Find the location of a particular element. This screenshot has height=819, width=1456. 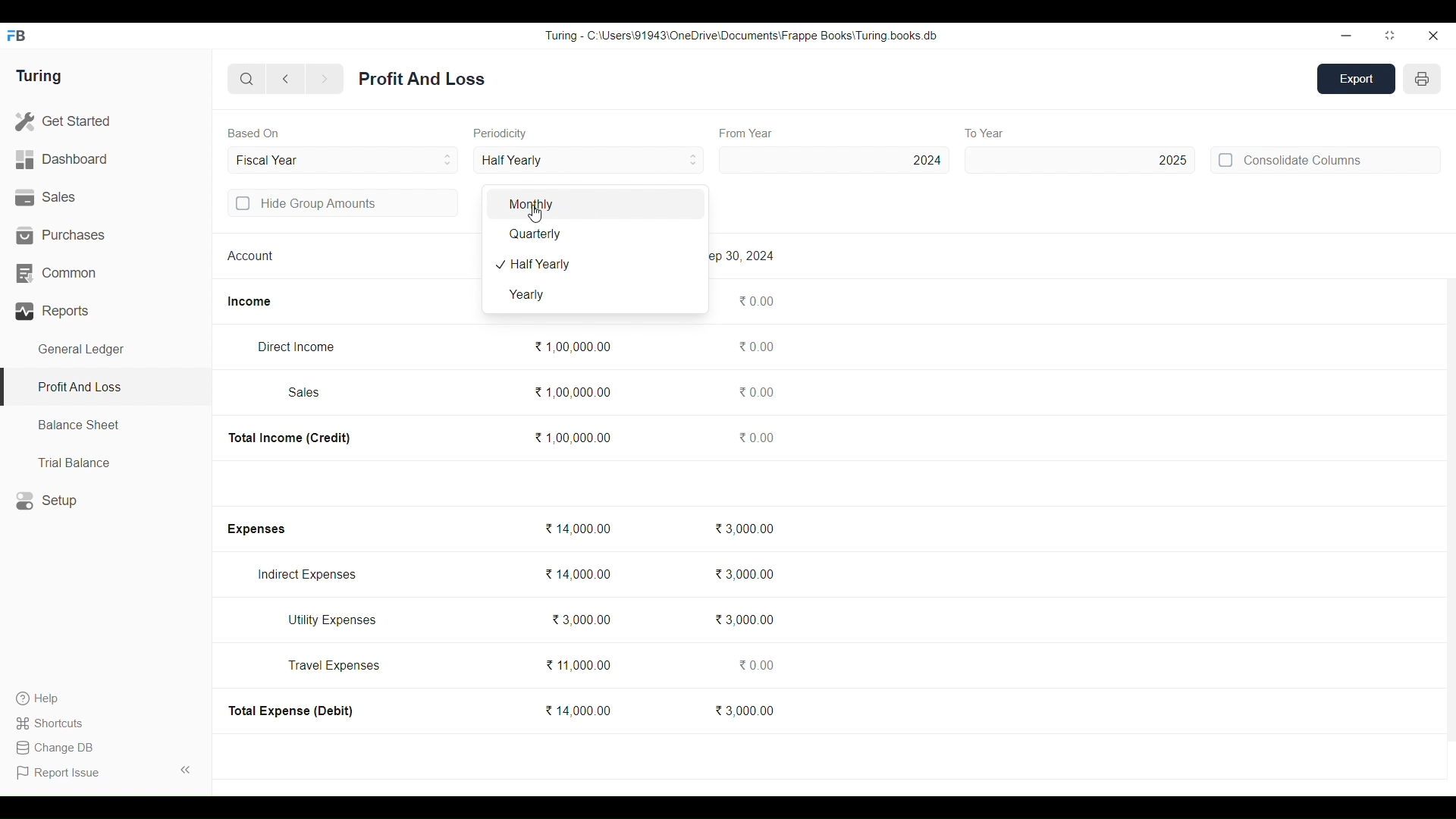

Total Income (Credit) is located at coordinates (290, 438).